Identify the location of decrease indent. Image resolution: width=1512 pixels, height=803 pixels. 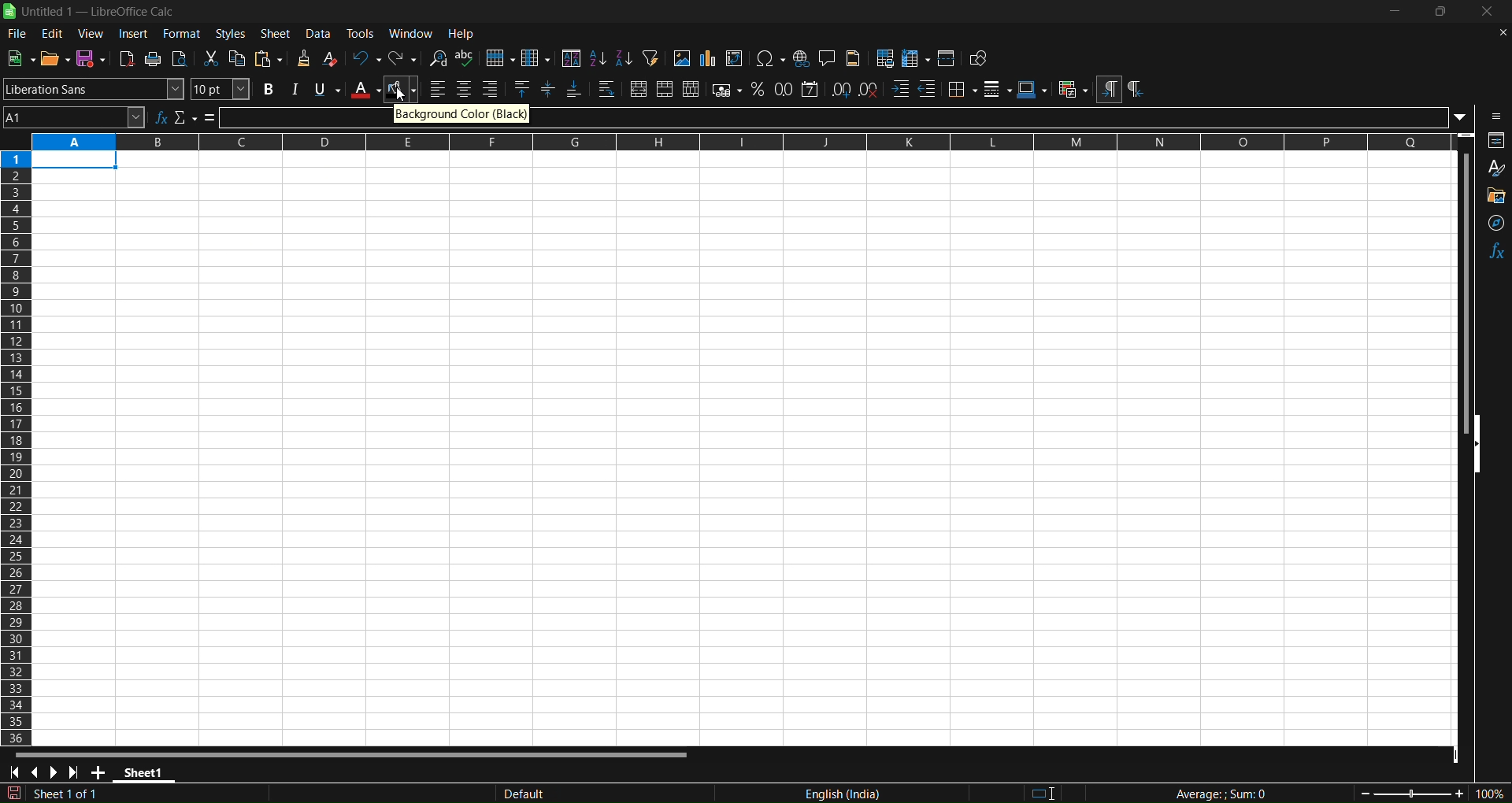
(928, 89).